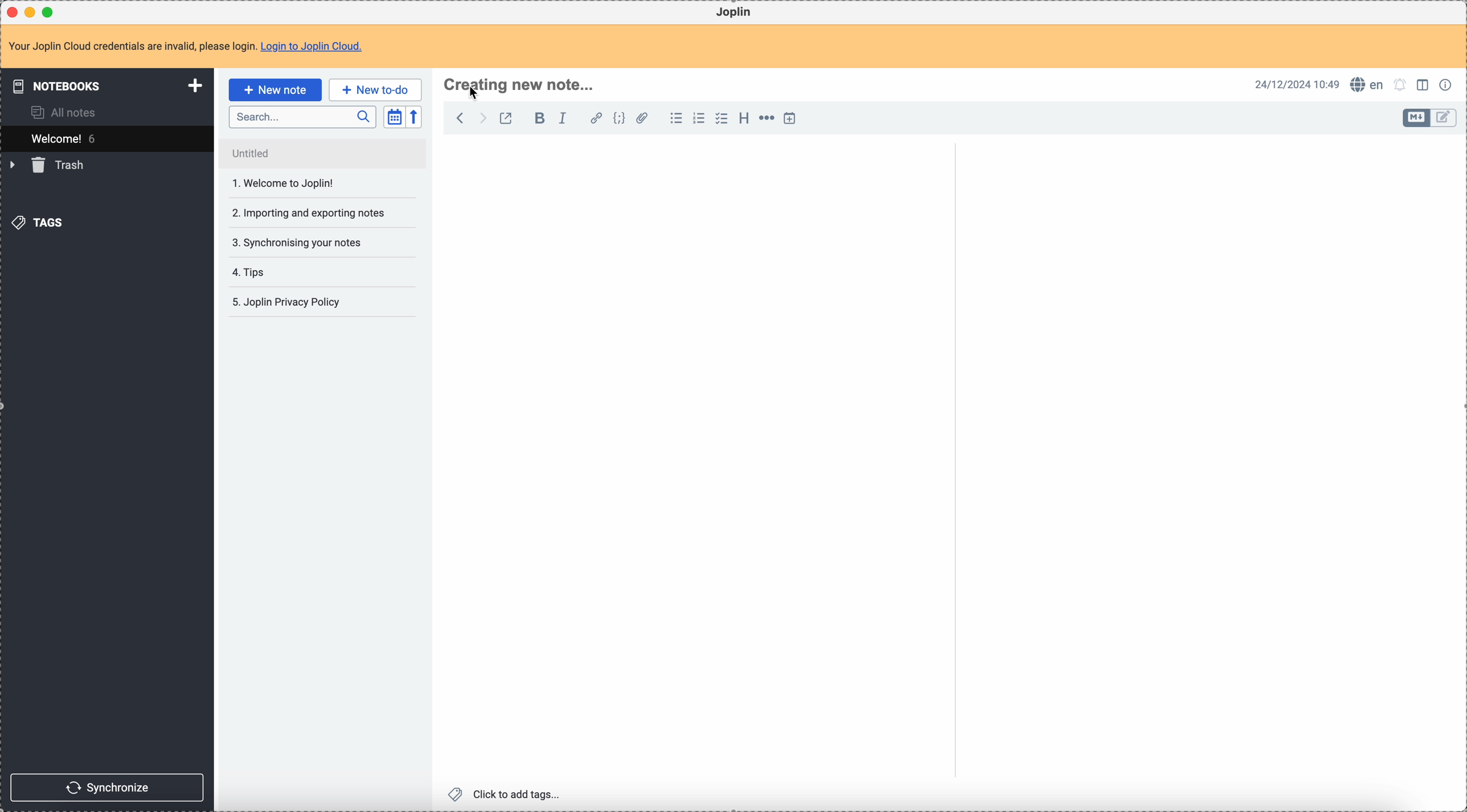 This screenshot has width=1467, height=812. Describe the element at coordinates (185, 46) in the screenshot. I see `note` at that location.